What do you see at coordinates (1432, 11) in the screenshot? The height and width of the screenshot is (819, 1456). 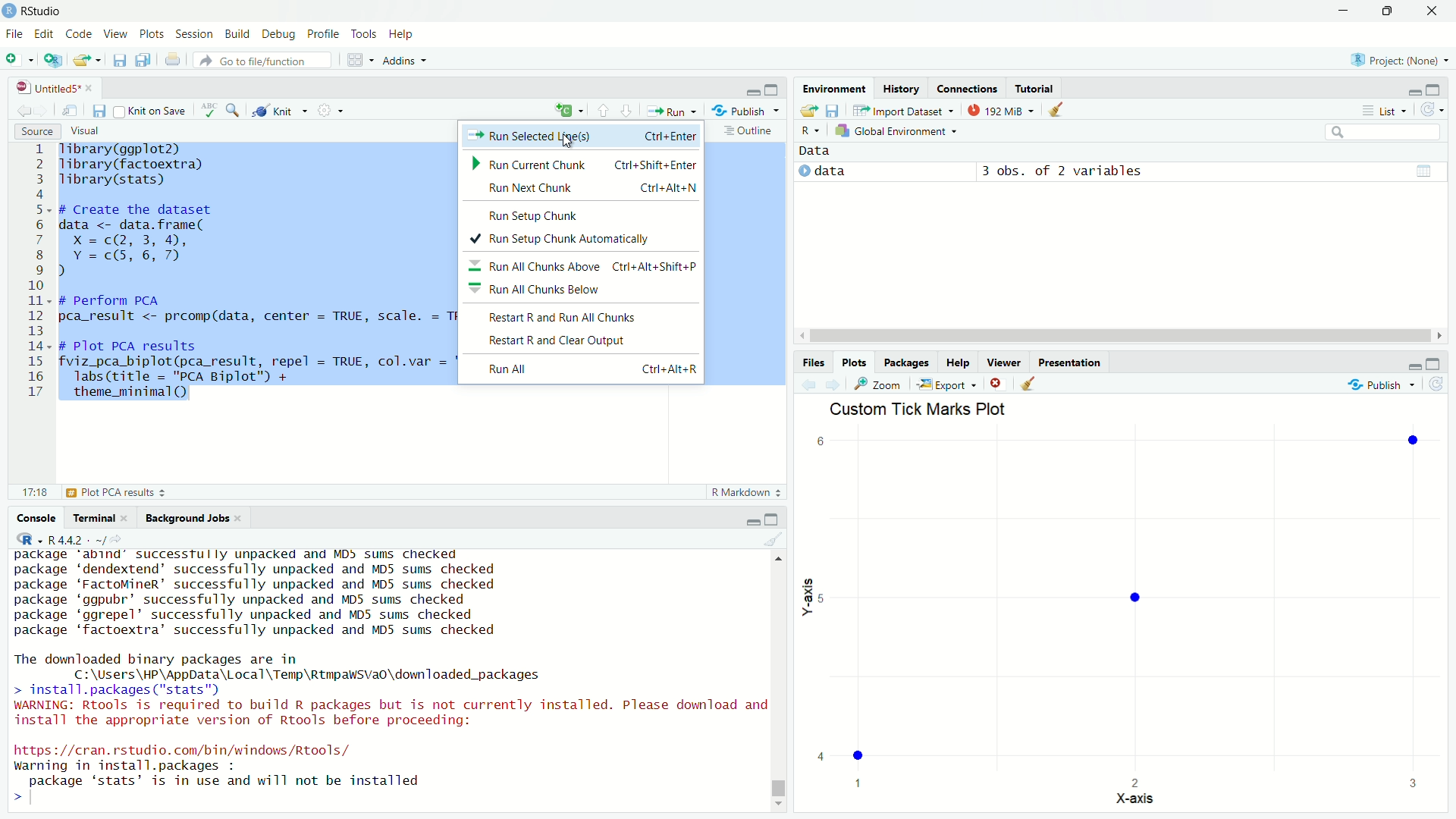 I see `Close` at bounding box center [1432, 11].